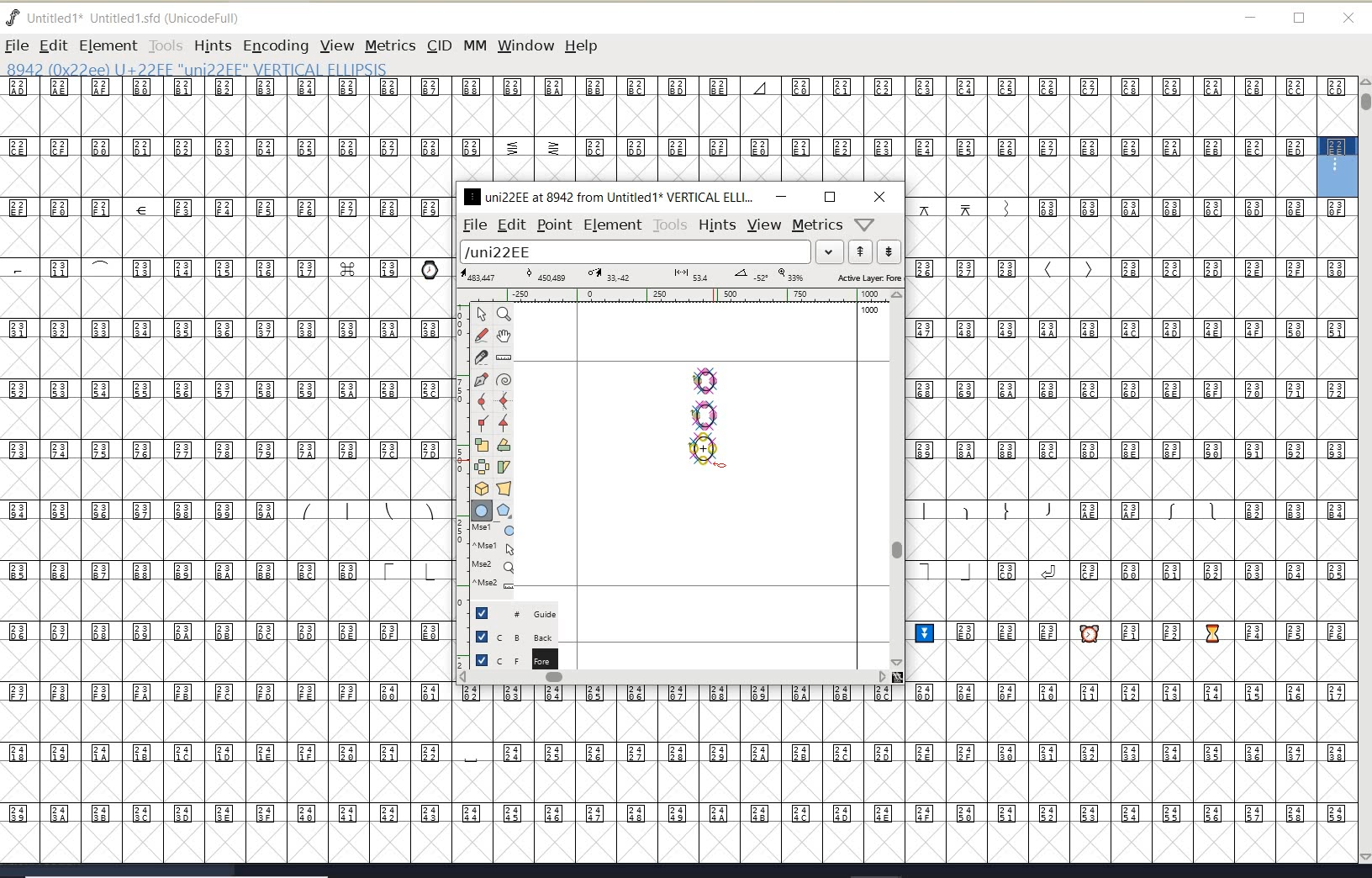 The height and width of the screenshot is (878, 1372). What do you see at coordinates (682, 278) in the screenshot?
I see `active layer` at bounding box center [682, 278].